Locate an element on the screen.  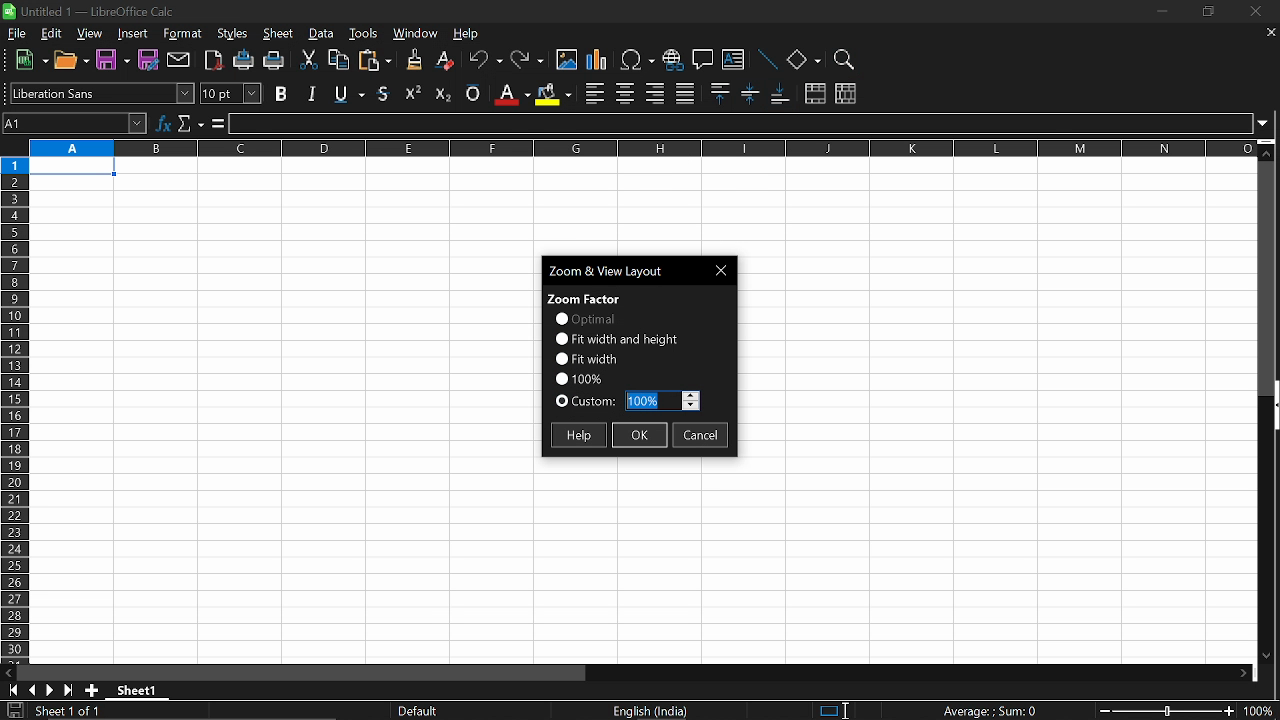
subscript is located at coordinates (441, 92).